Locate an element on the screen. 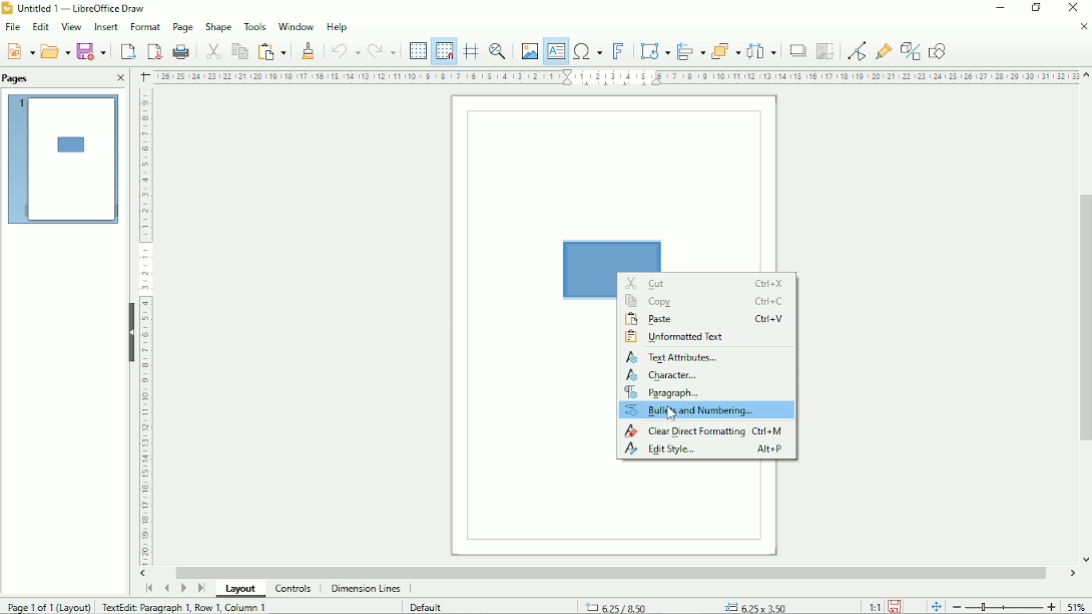 This screenshot has height=614, width=1092. Edit is located at coordinates (42, 26).